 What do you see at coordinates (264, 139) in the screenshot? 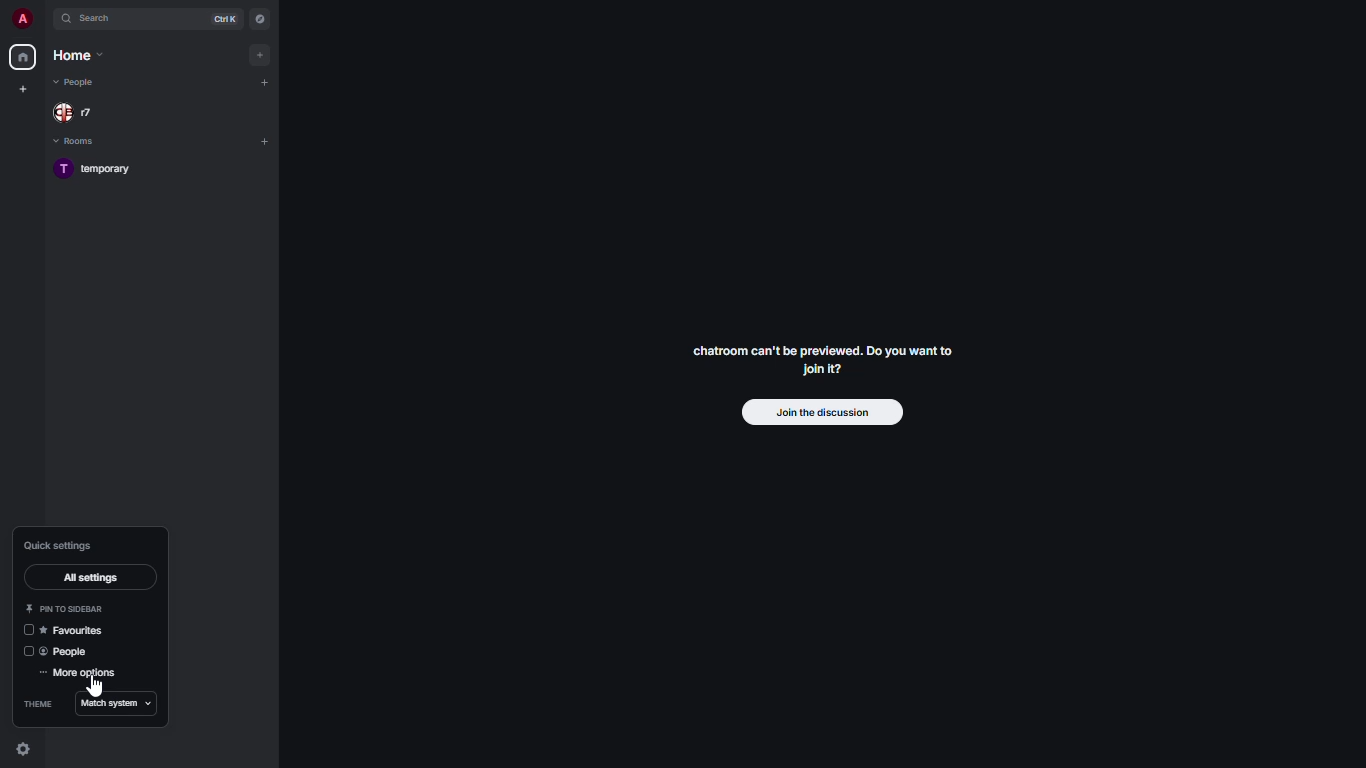
I see `add` at bounding box center [264, 139].